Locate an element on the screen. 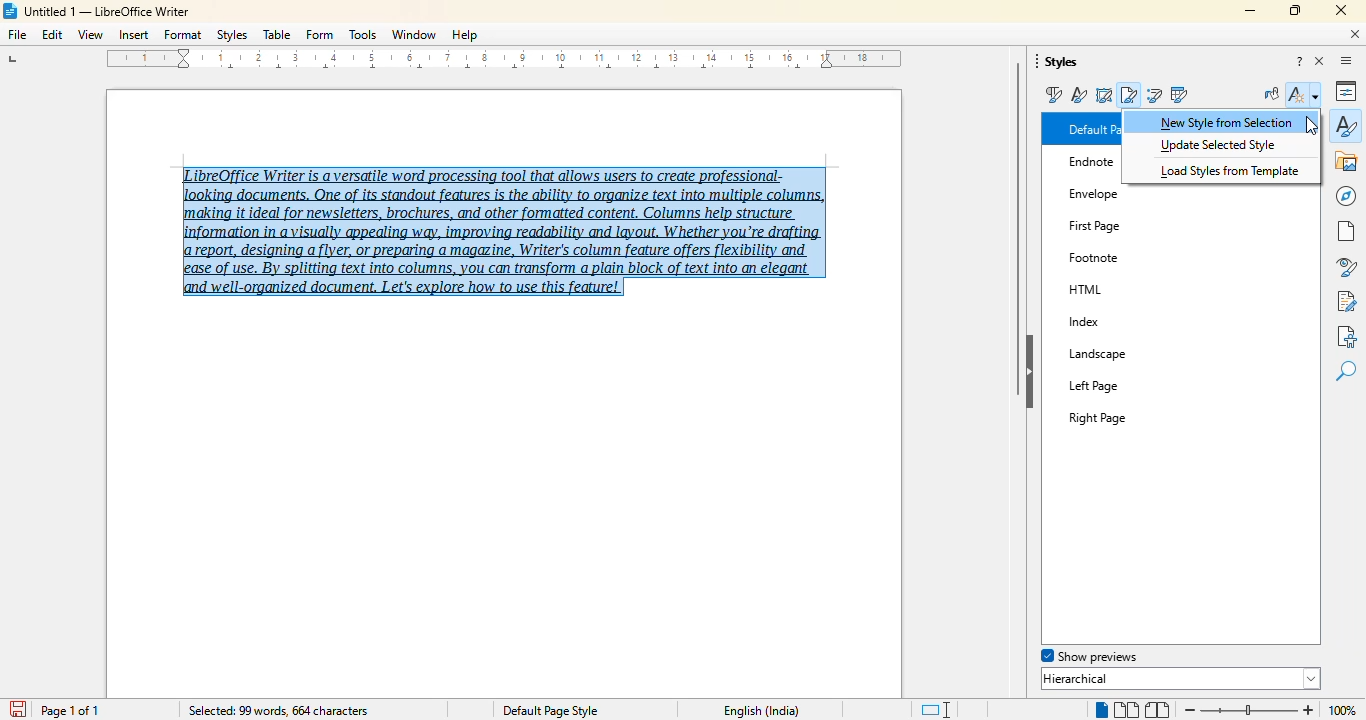 The width and height of the screenshot is (1366, 720). update selected style is located at coordinates (1218, 145).